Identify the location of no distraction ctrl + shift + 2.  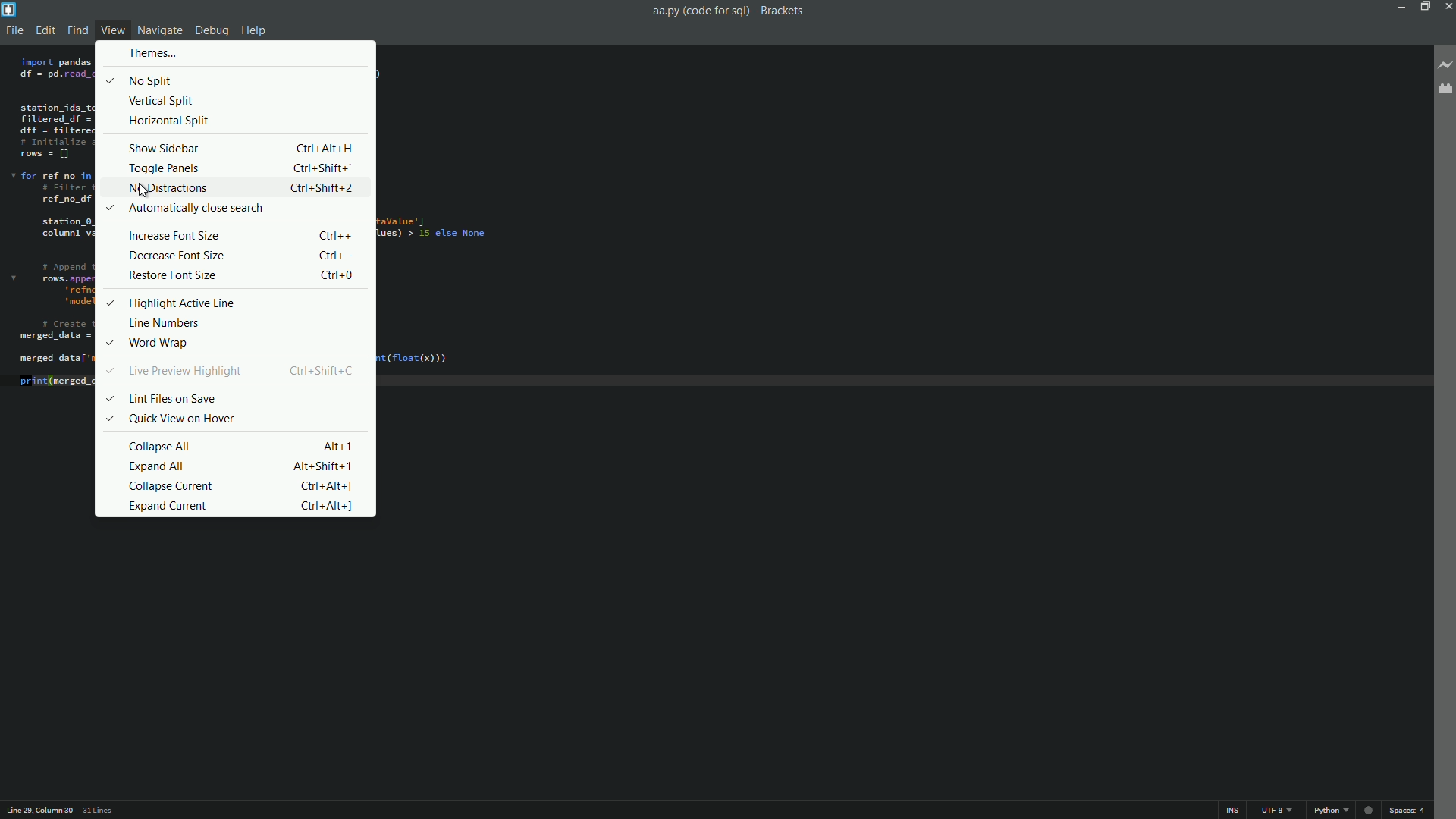
(244, 187).